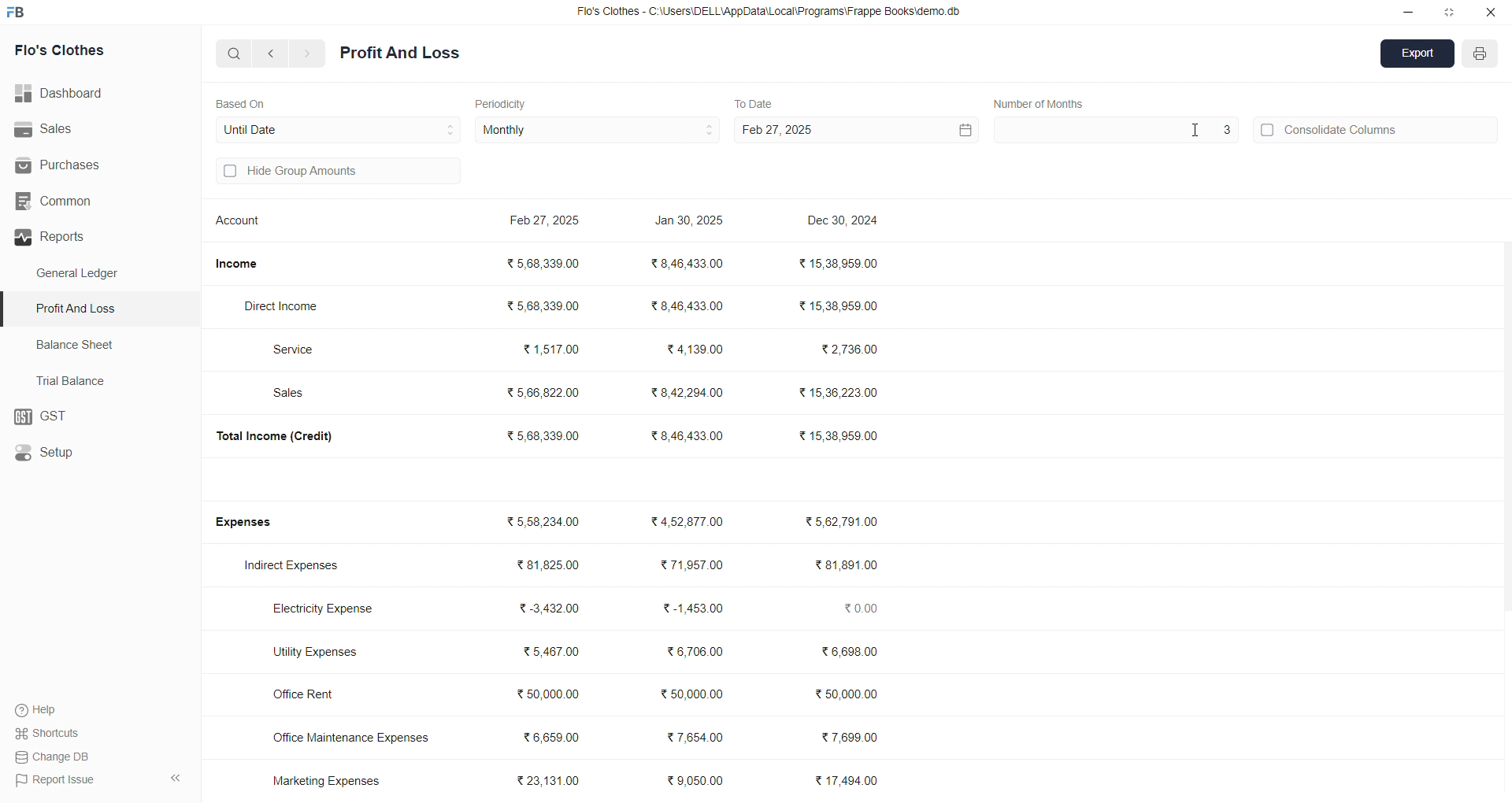  What do you see at coordinates (52, 732) in the screenshot?
I see `Shortcuts` at bounding box center [52, 732].